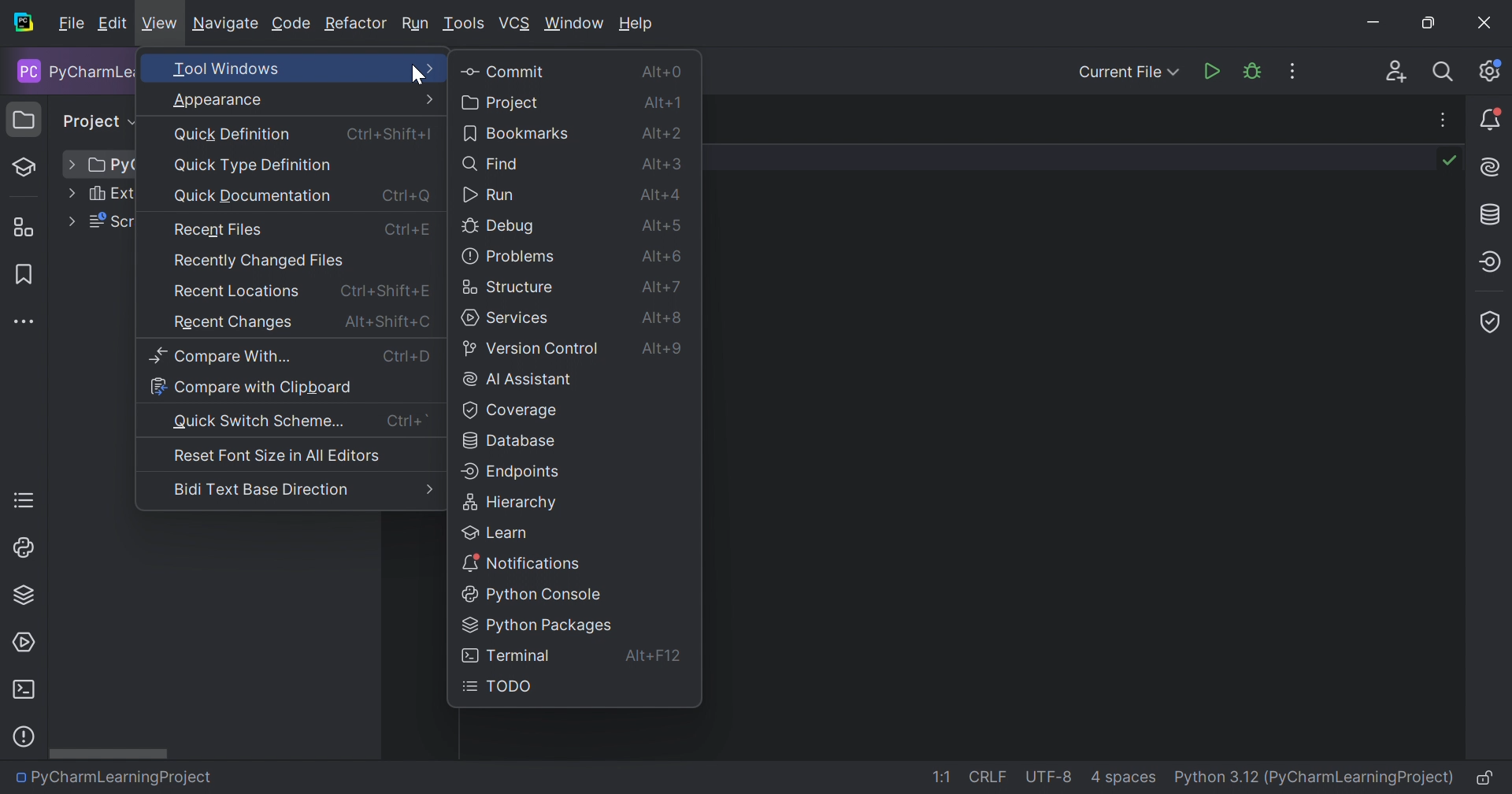  What do you see at coordinates (70, 24) in the screenshot?
I see `File` at bounding box center [70, 24].